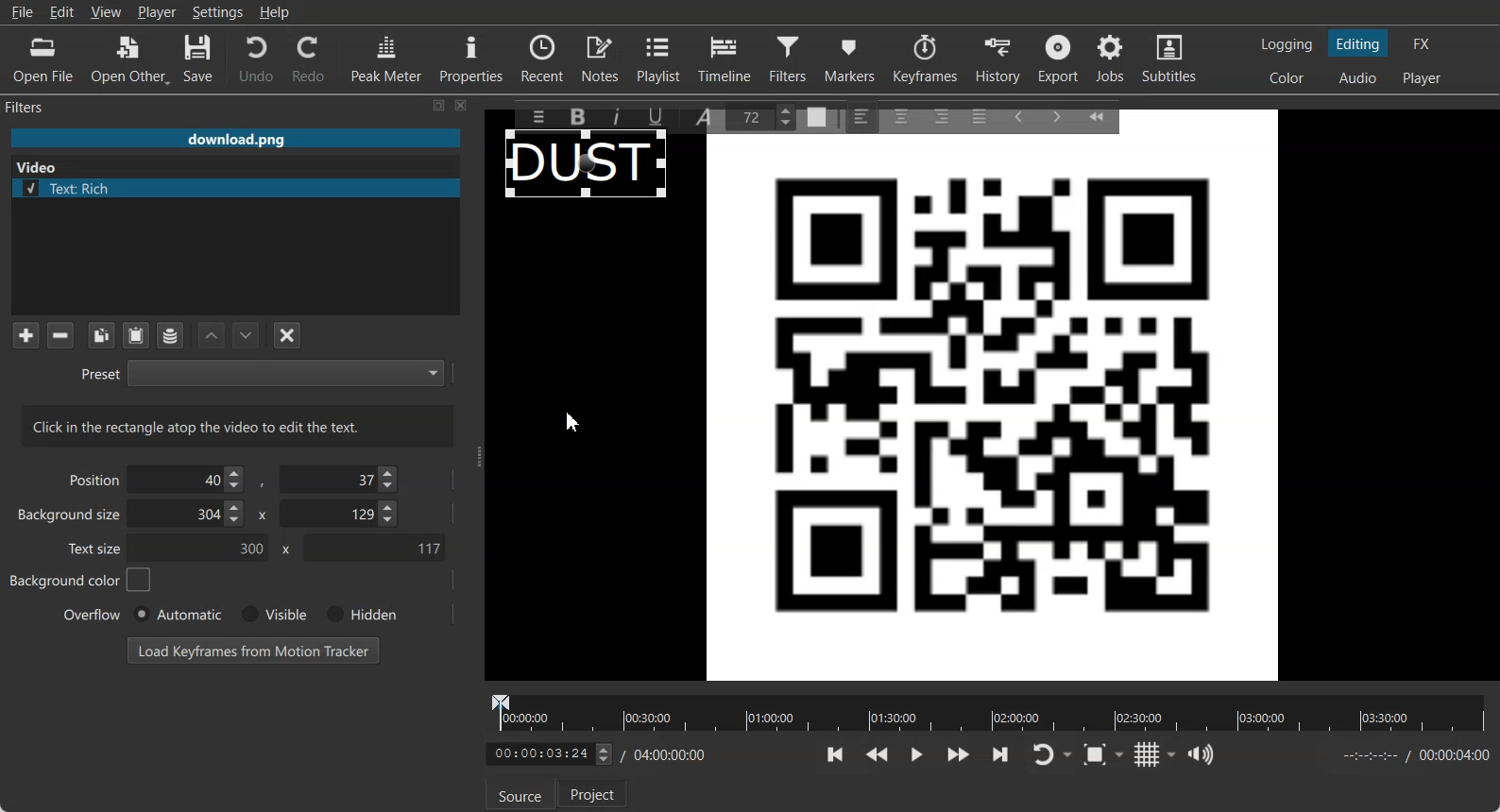 This screenshot has width=1500, height=812. I want to click on Text Size Y- Coordinate, so click(374, 547).